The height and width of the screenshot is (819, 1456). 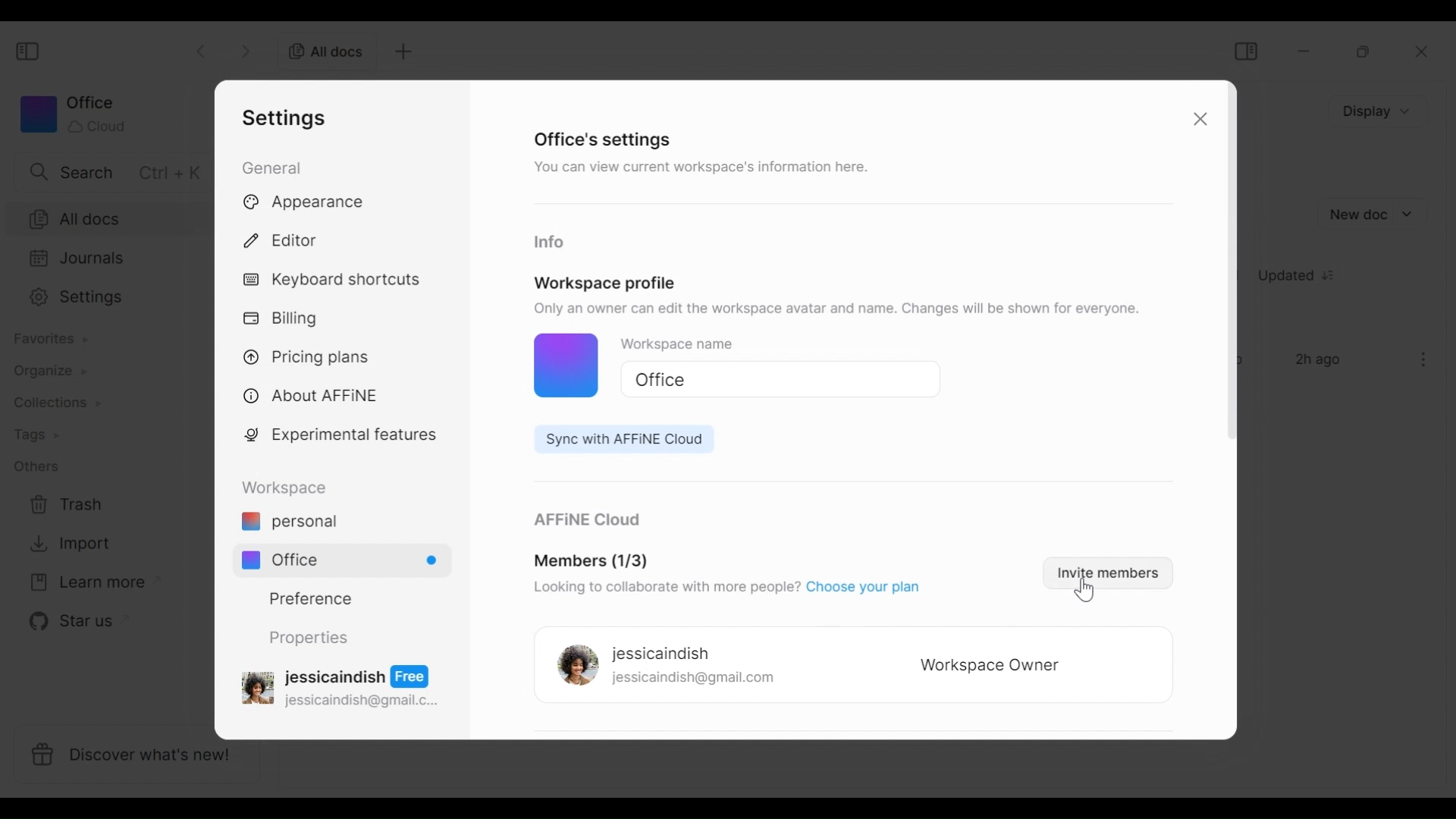 What do you see at coordinates (1087, 594) in the screenshot?
I see `Cursor` at bounding box center [1087, 594].